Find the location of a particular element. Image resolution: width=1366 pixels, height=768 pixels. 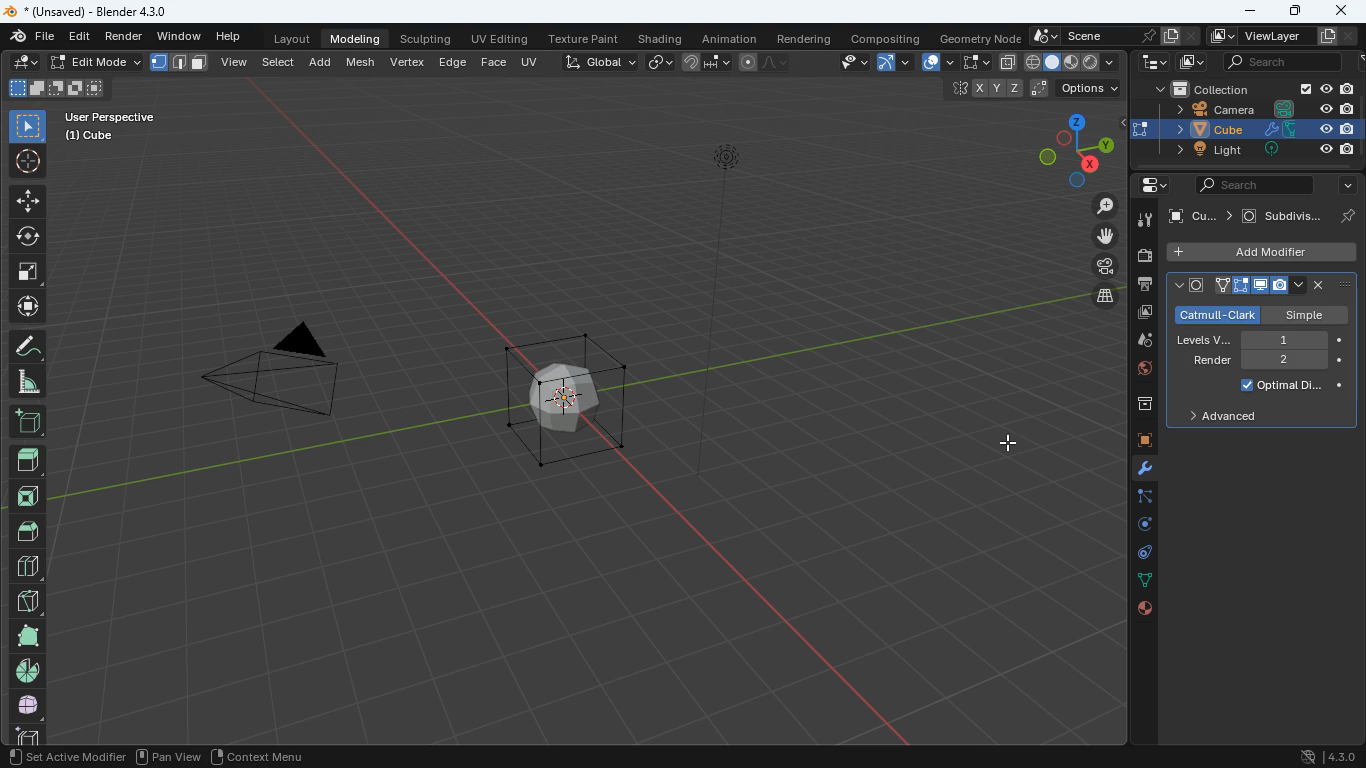

perks is located at coordinates (1259, 286).